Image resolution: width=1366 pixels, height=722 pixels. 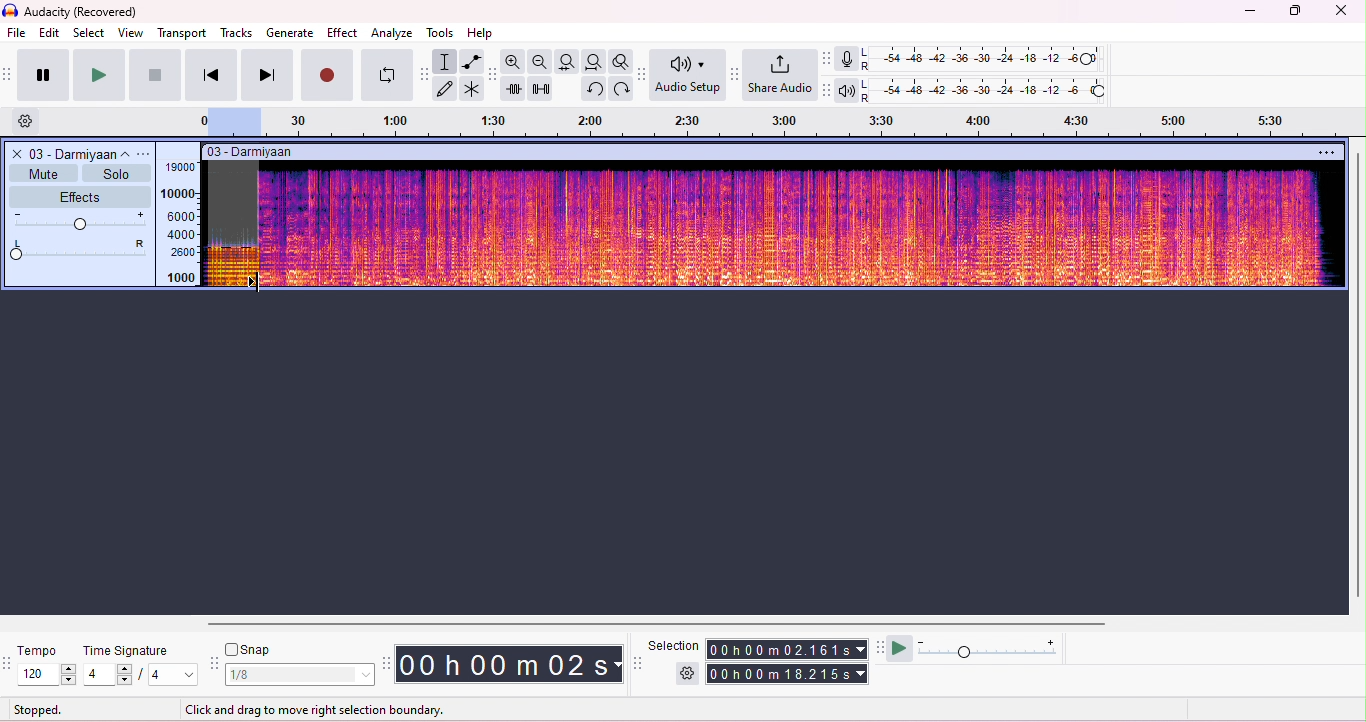 What do you see at coordinates (1325, 152) in the screenshot?
I see `options` at bounding box center [1325, 152].